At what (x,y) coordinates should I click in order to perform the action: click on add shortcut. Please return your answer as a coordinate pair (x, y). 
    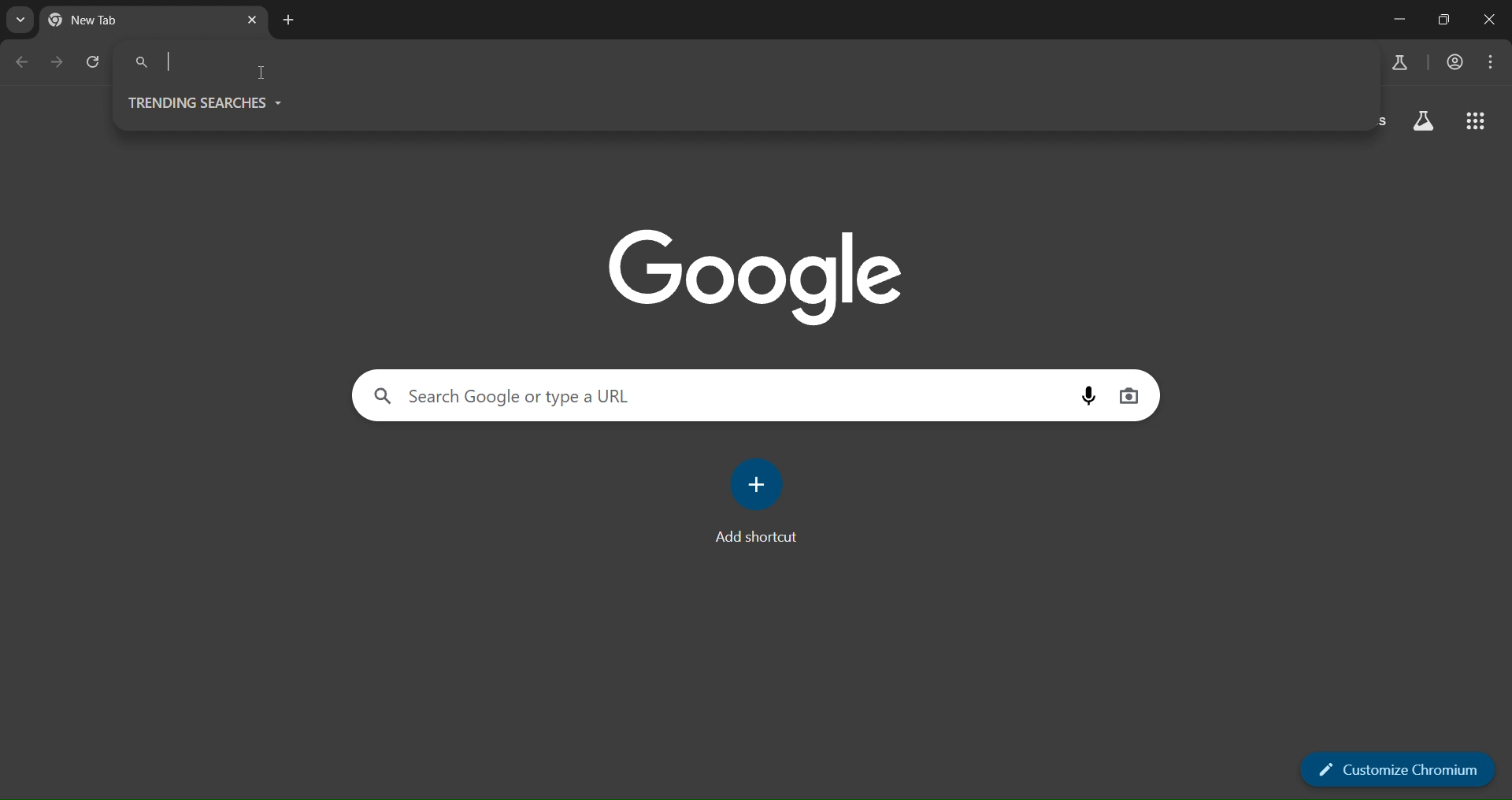
    Looking at the image, I should click on (759, 483).